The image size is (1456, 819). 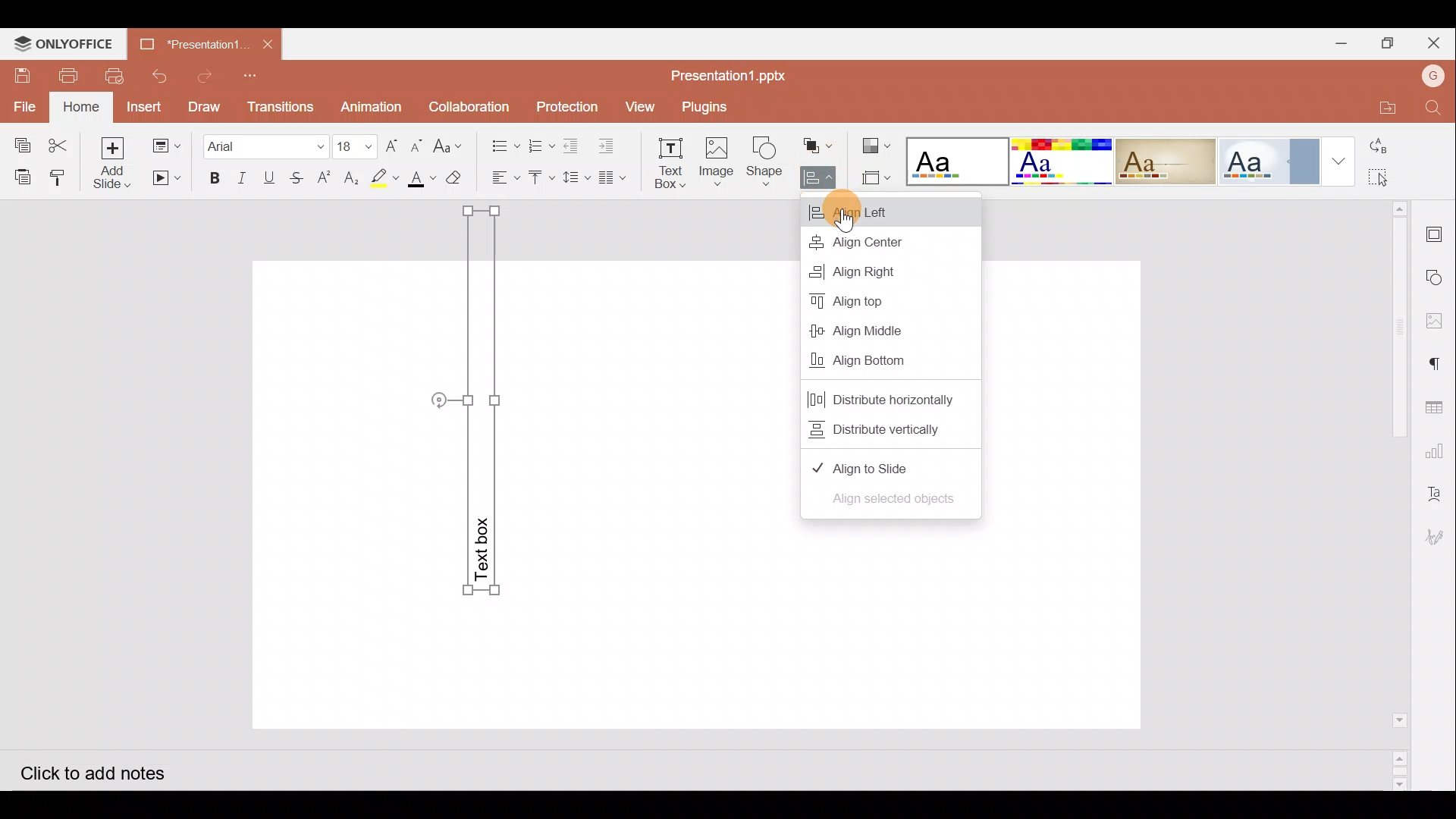 What do you see at coordinates (1437, 492) in the screenshot?
I see `Text Art settings` at bounding box center [1437, 492].